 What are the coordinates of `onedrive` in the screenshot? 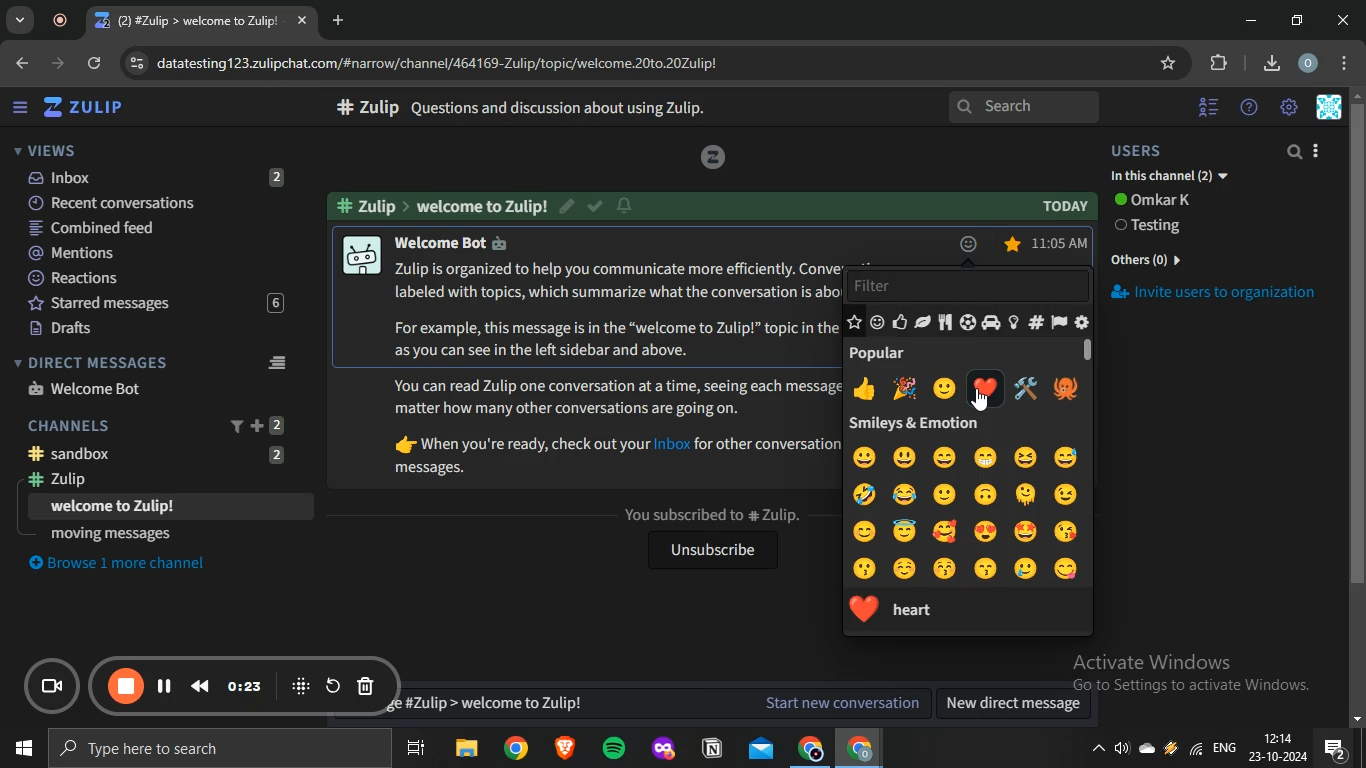 It's located at (1150, 750).